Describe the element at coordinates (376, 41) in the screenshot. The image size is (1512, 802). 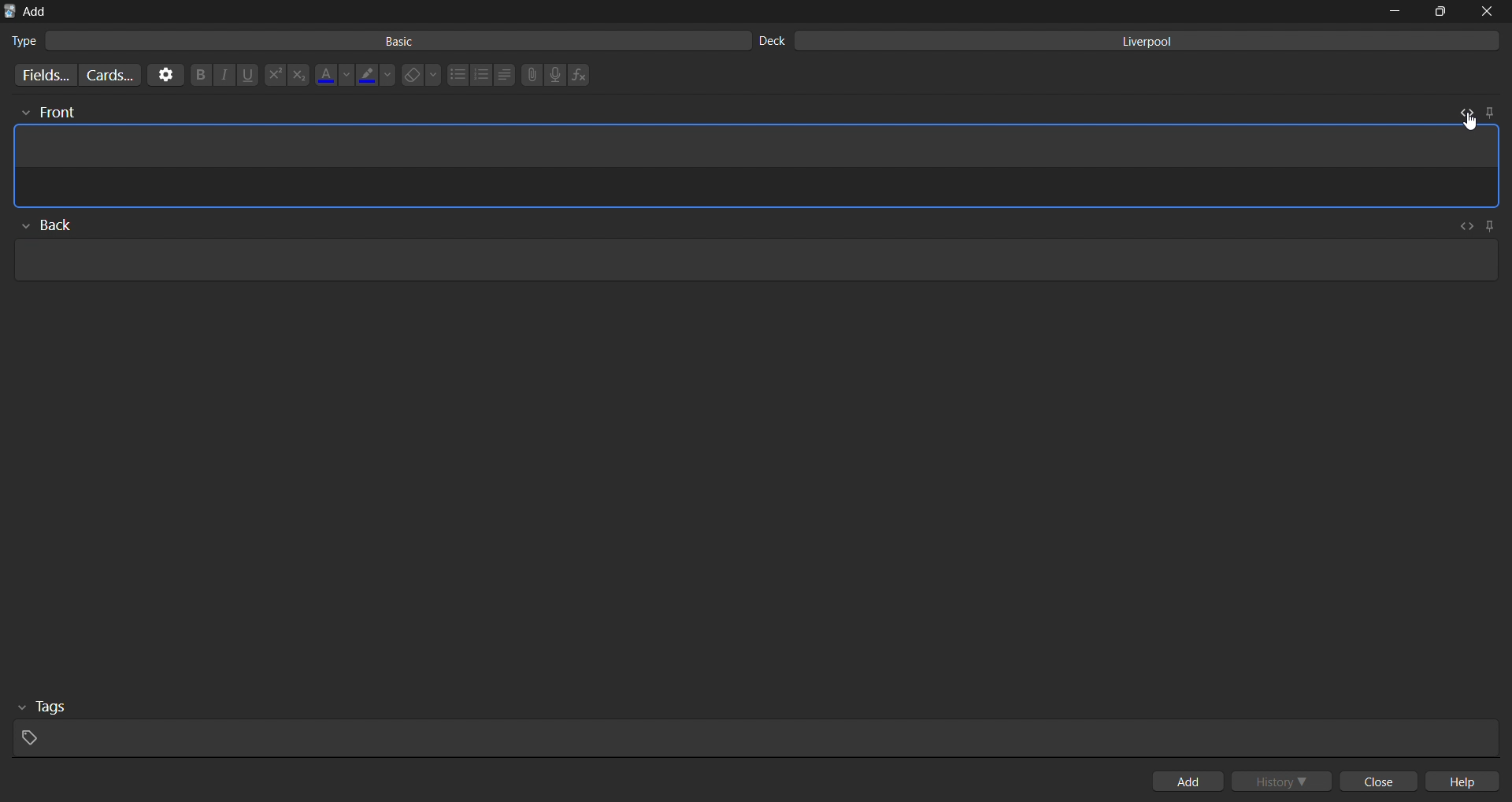
I see `basic card type ` at that location.